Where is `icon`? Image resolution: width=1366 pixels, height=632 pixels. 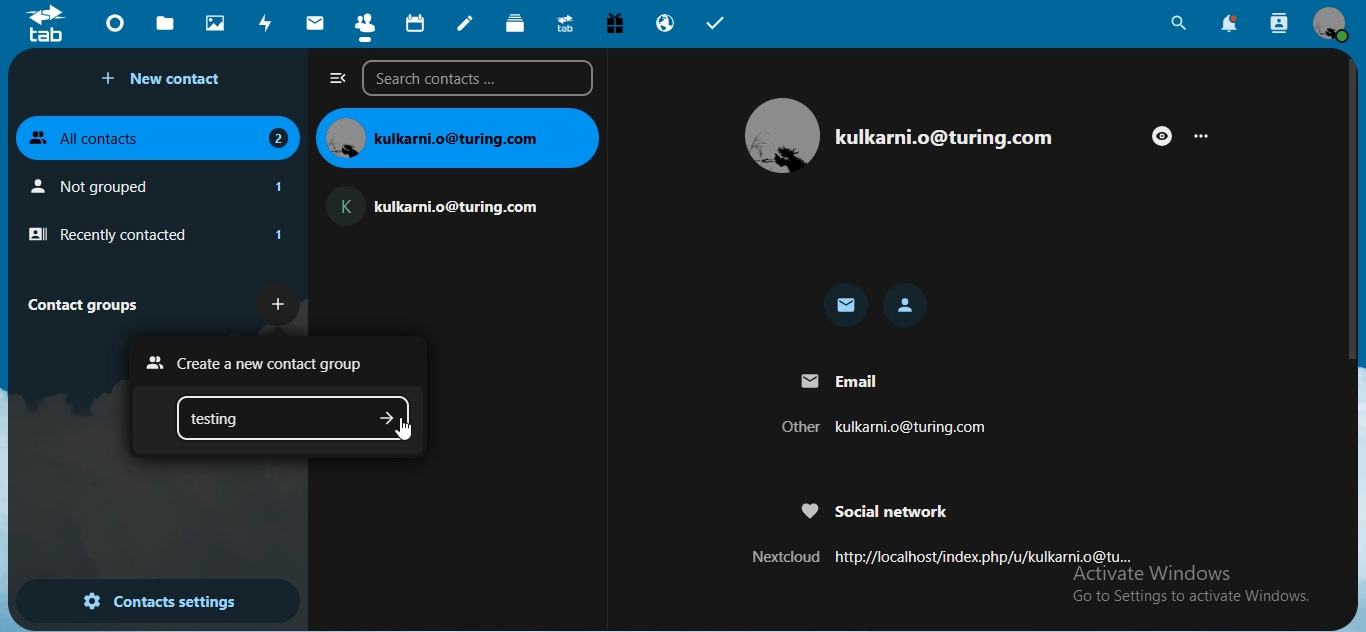 icon is located at coordinates (46, 27).